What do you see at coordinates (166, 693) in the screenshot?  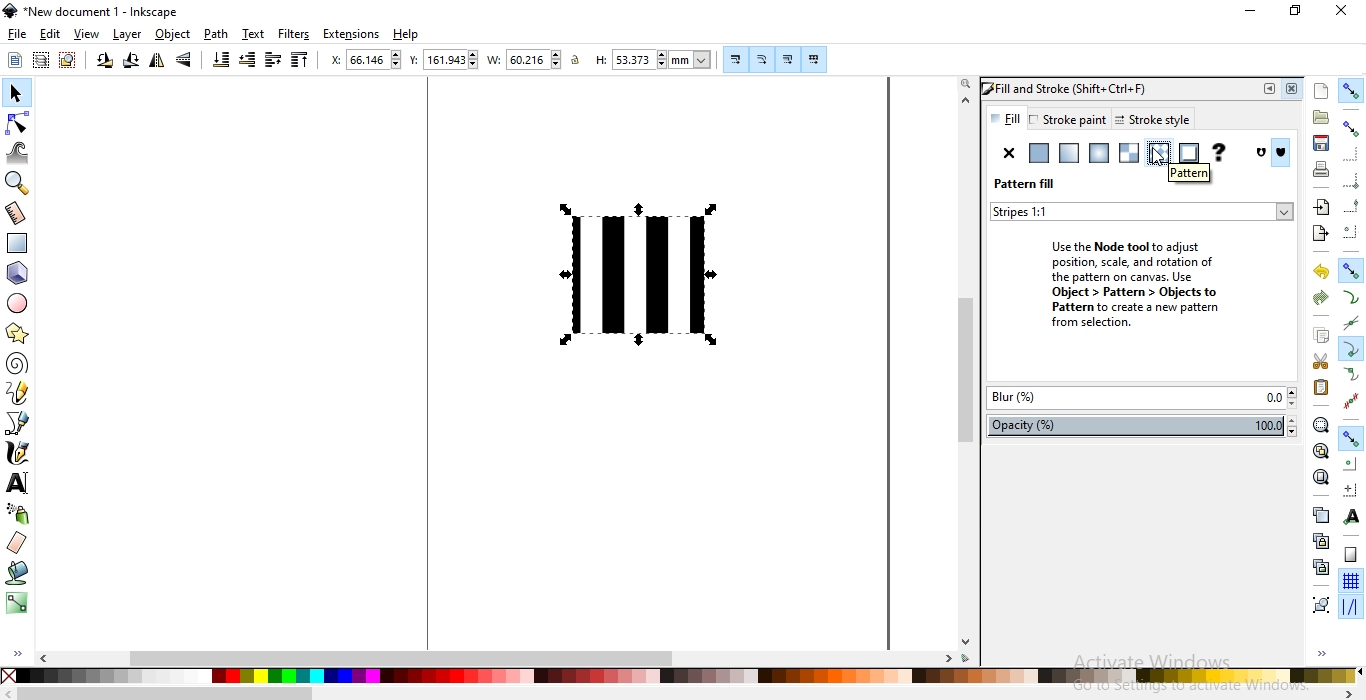 I see `` at bounding box center [166, 693].